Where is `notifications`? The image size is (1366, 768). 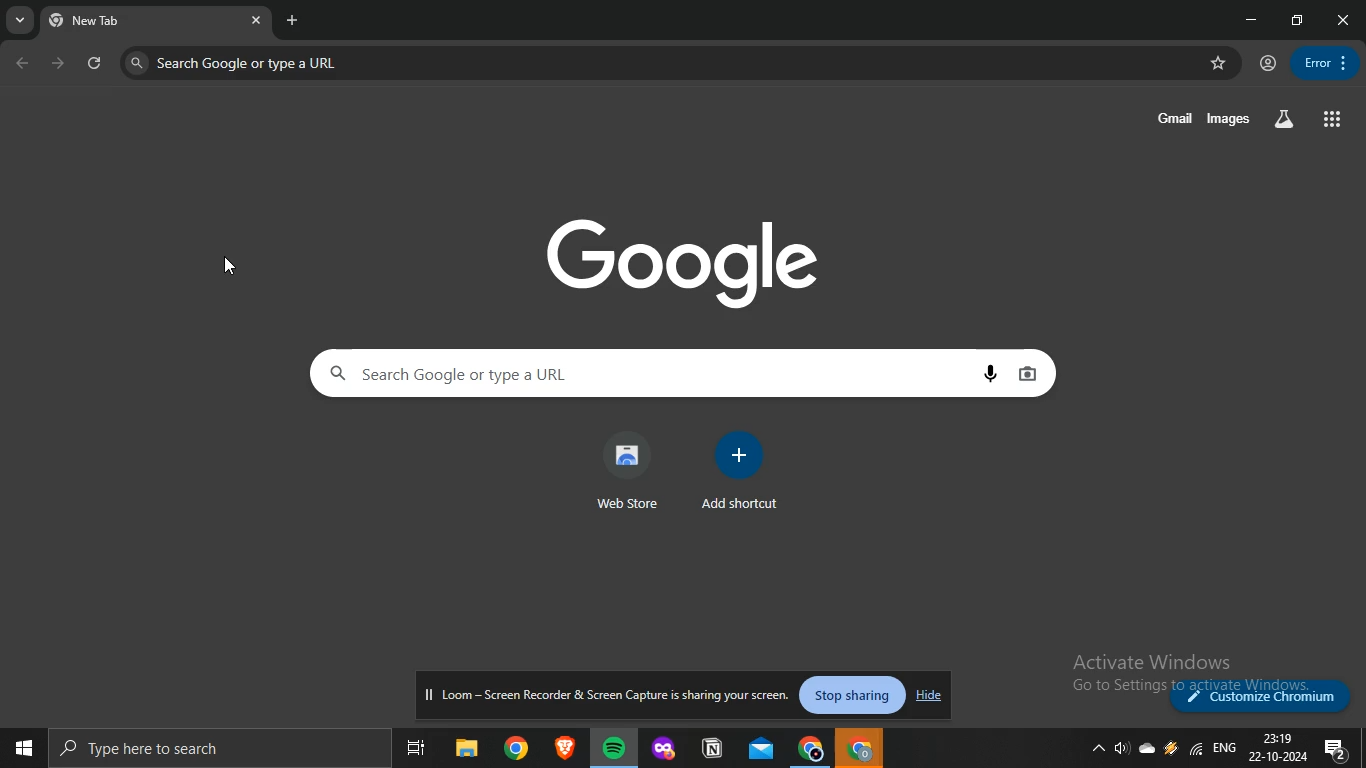 notifications is located at coordinates (1335, 749).